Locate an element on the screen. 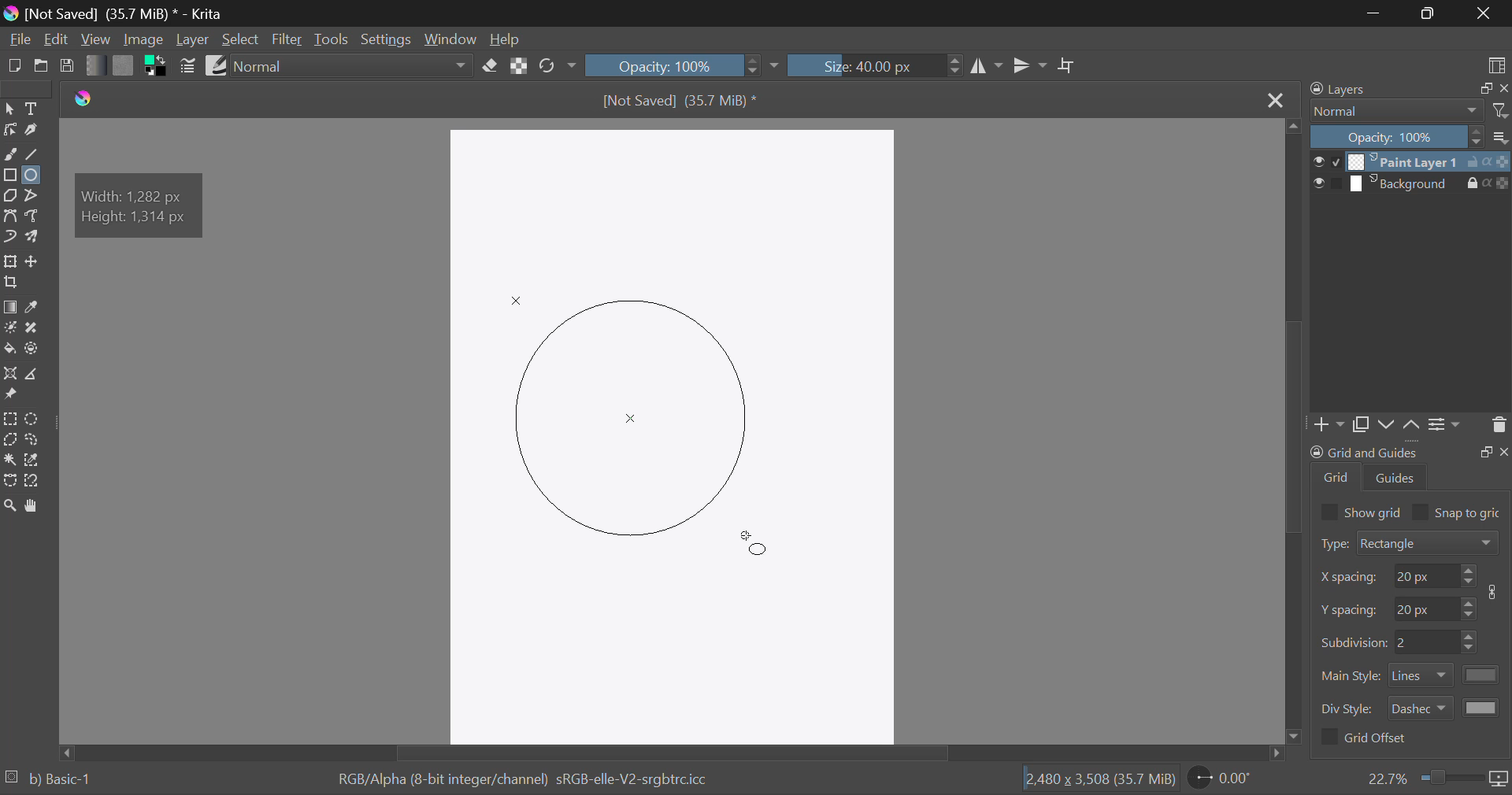 This screenshot has height=795, width=1512. Colors in Use is located at coordinates (157, 68).